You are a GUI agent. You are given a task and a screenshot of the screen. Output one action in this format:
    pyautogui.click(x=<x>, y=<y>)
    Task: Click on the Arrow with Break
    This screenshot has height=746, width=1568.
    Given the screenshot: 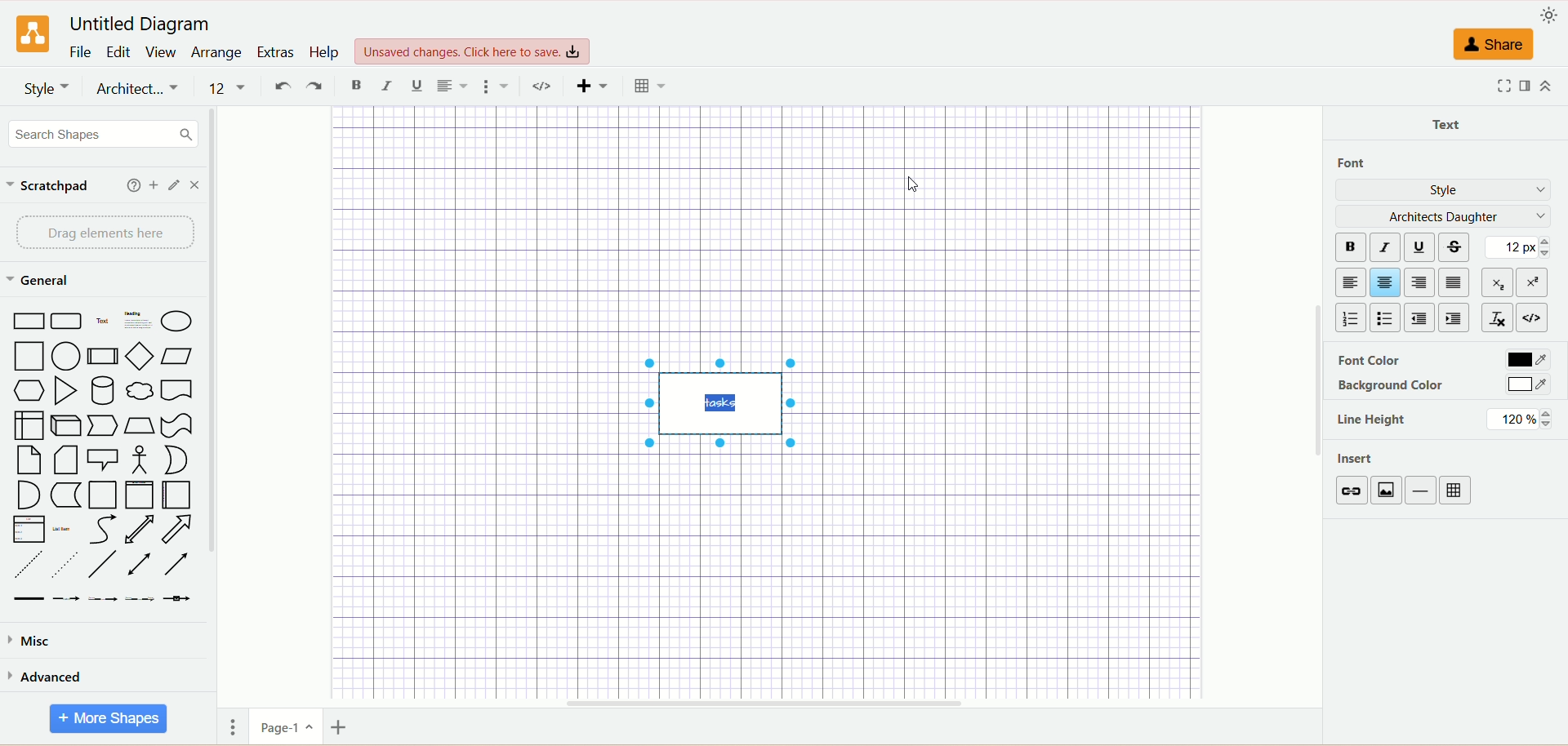 What is the action you would take?
    pyautogui.click(x=67, y=599)
    